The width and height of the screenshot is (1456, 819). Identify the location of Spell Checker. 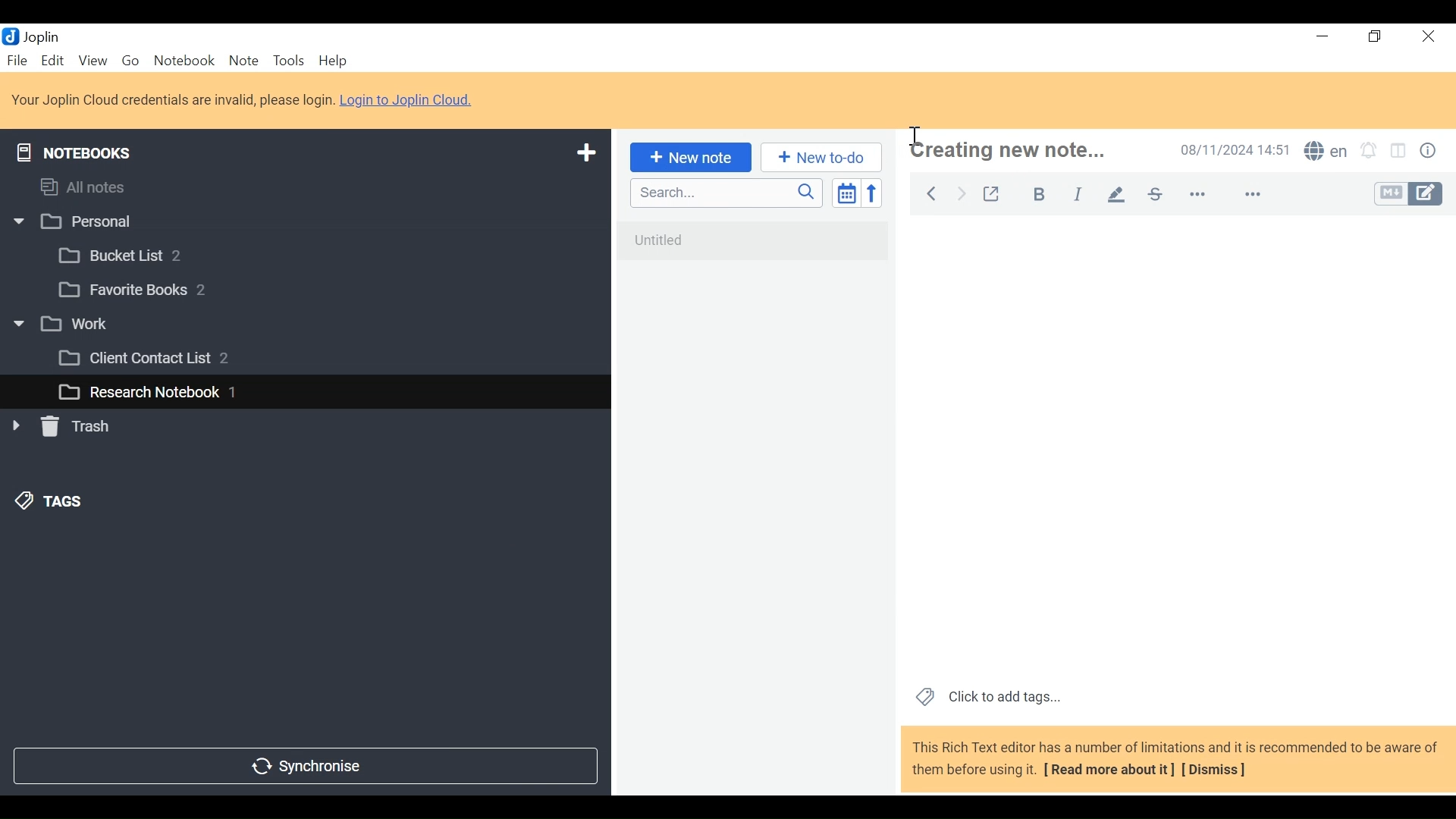
(1326, 152).